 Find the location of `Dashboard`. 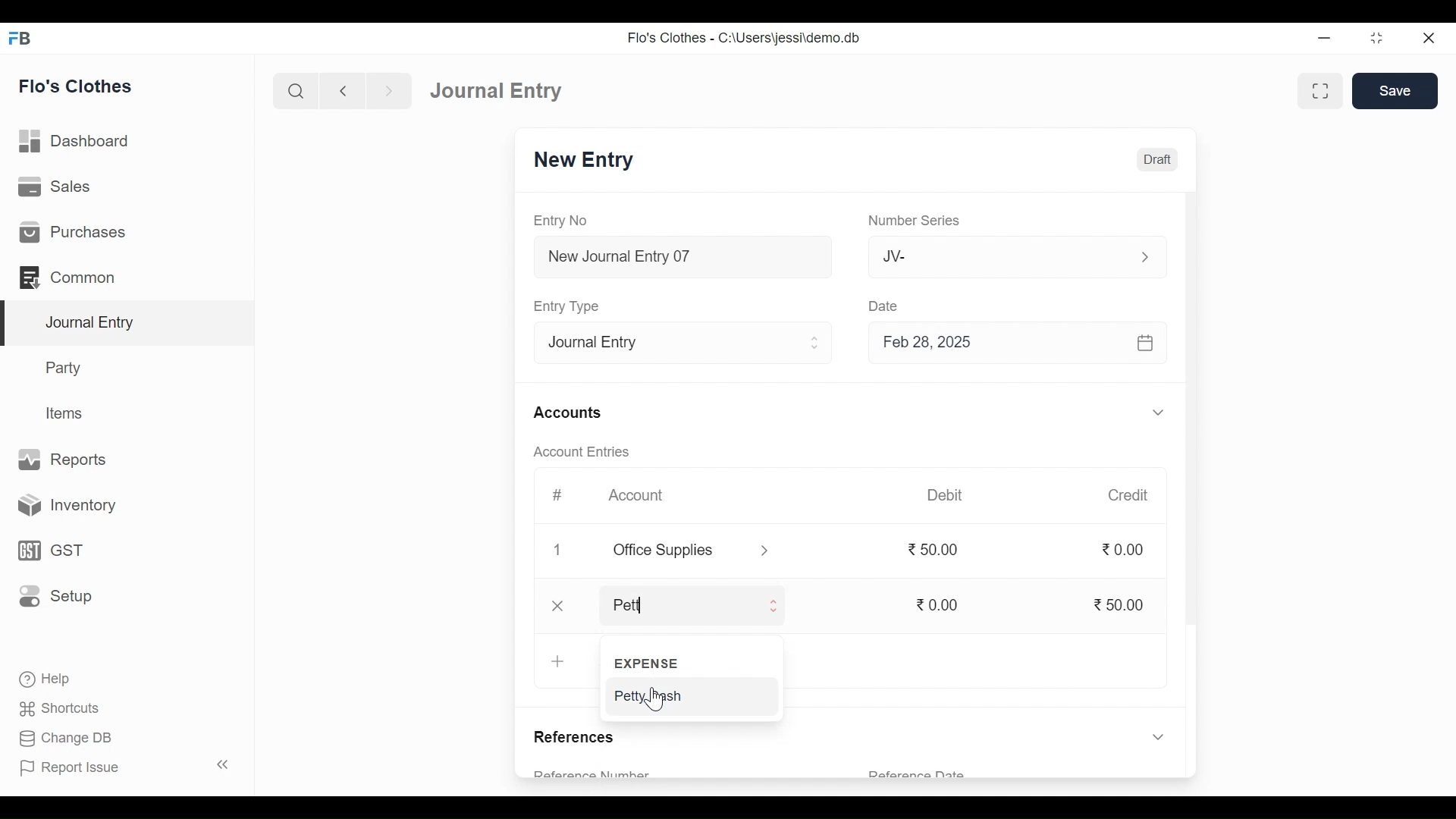

Dashboard is located at coordinates (75, 140).